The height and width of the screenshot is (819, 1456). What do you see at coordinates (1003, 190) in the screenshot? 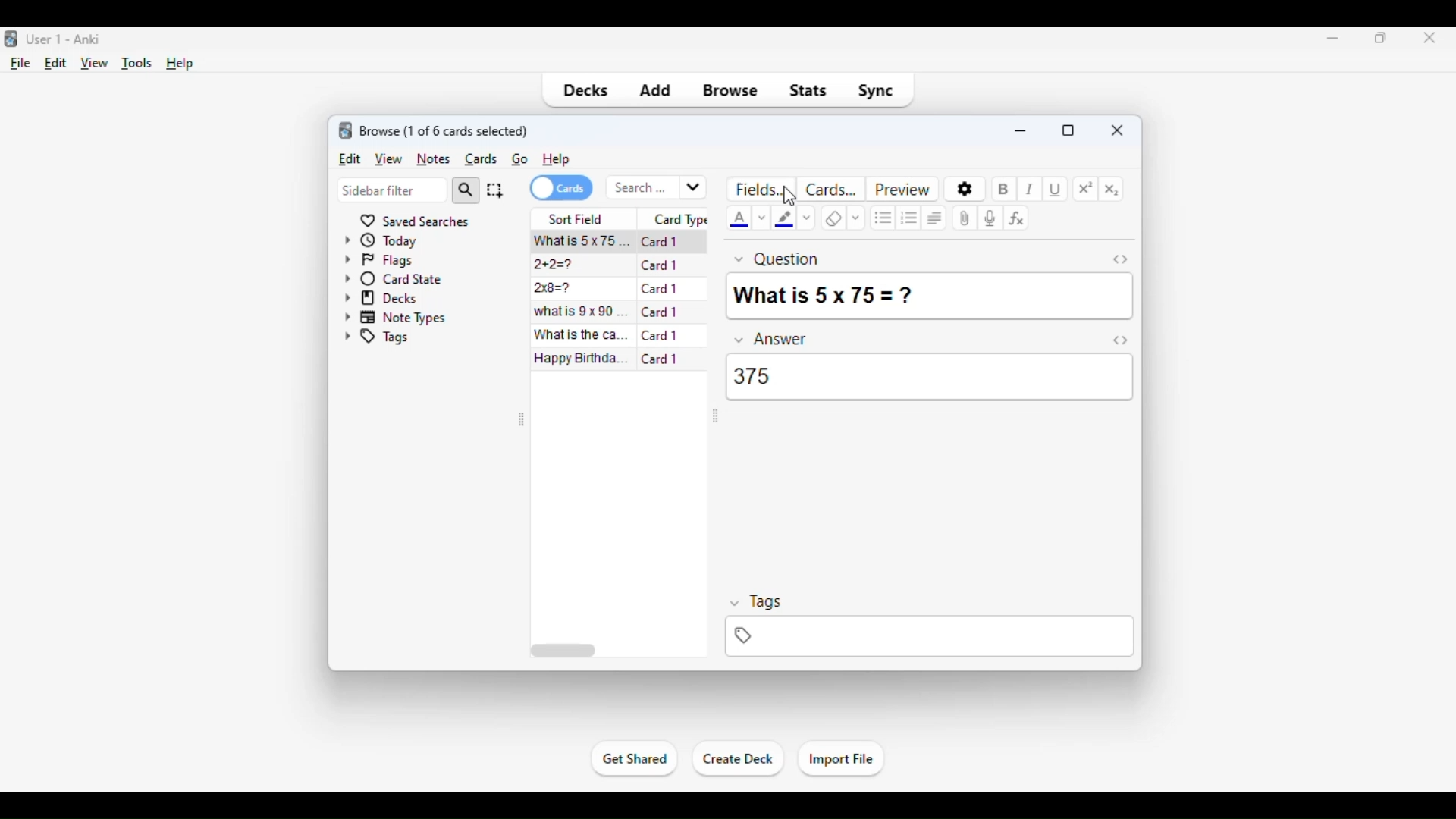
I see `bold` at bounding box center [1003, 190].